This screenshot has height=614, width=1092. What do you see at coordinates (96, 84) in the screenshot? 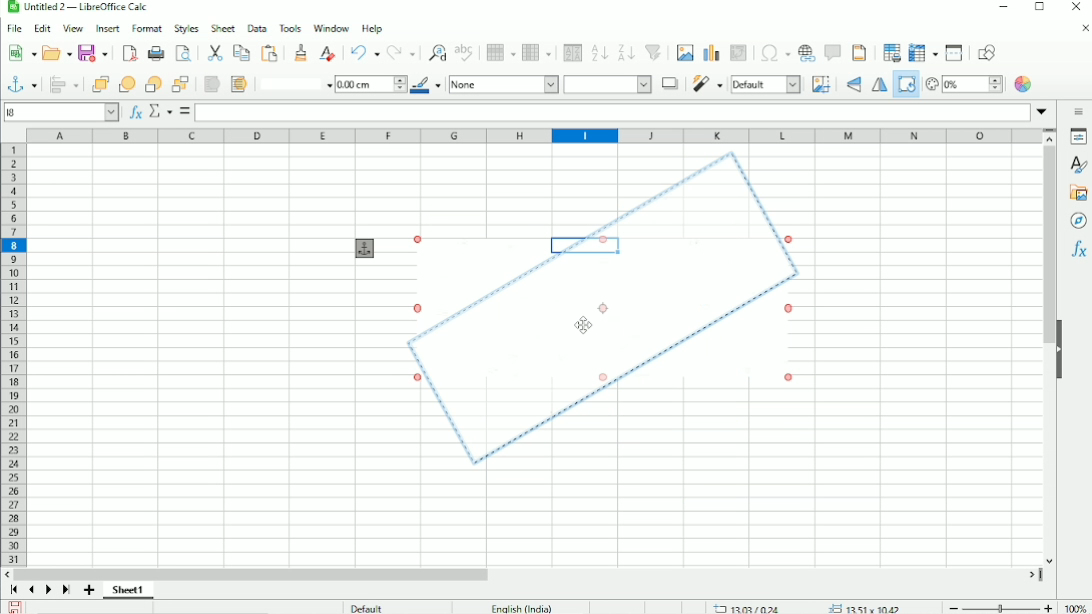
I see `Bring to front` at bounding box center [96, 84].